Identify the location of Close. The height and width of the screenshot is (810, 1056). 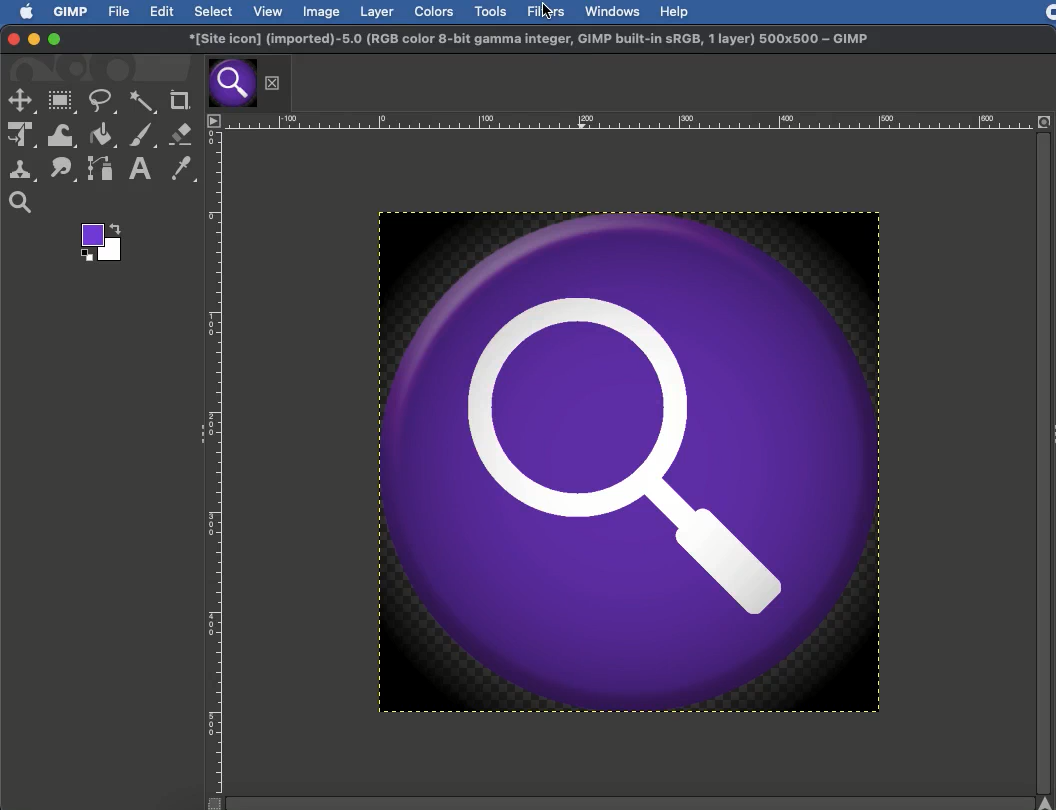
(272, 81).